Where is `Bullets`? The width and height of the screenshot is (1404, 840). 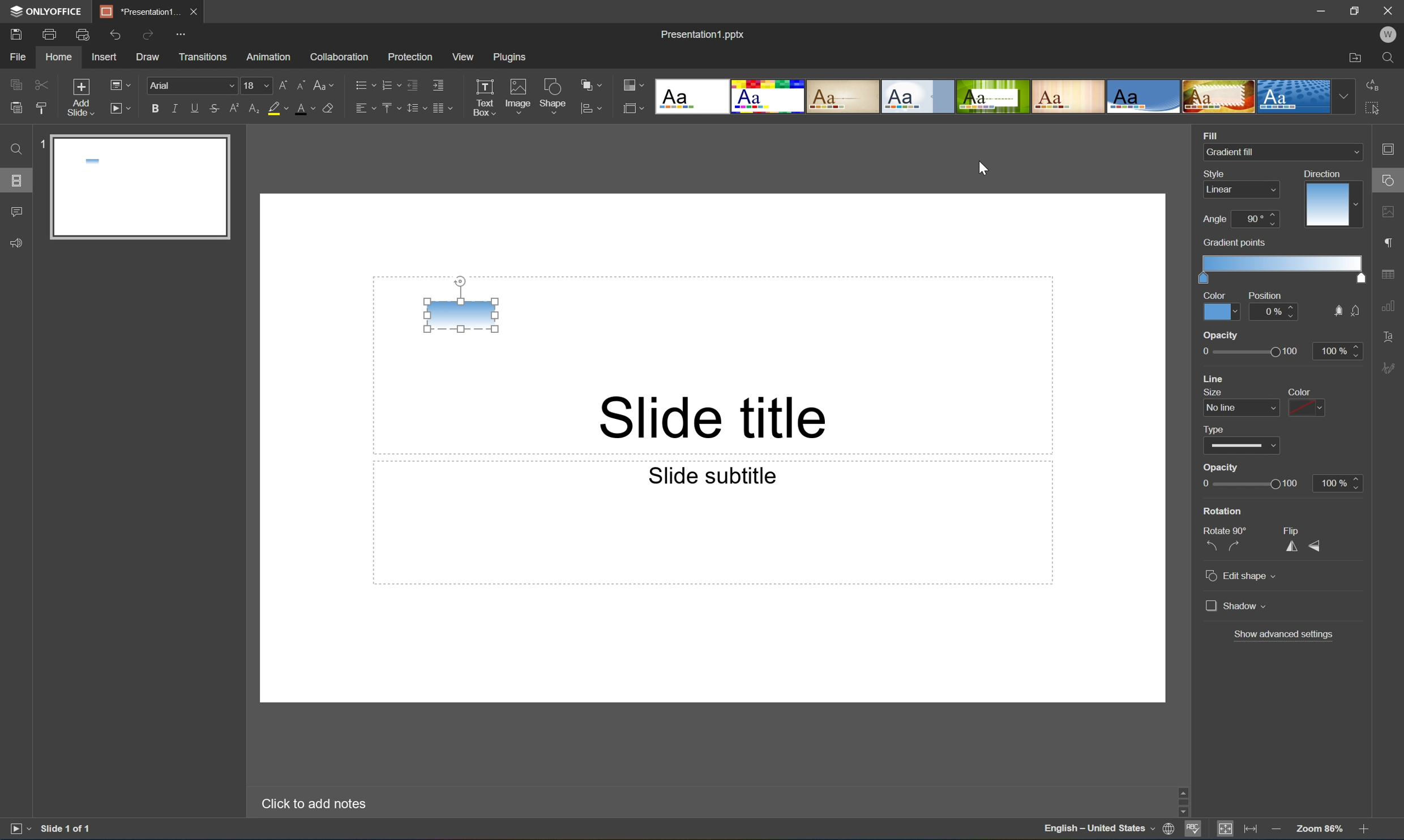 Bullets is located at coordinates (362, 83).